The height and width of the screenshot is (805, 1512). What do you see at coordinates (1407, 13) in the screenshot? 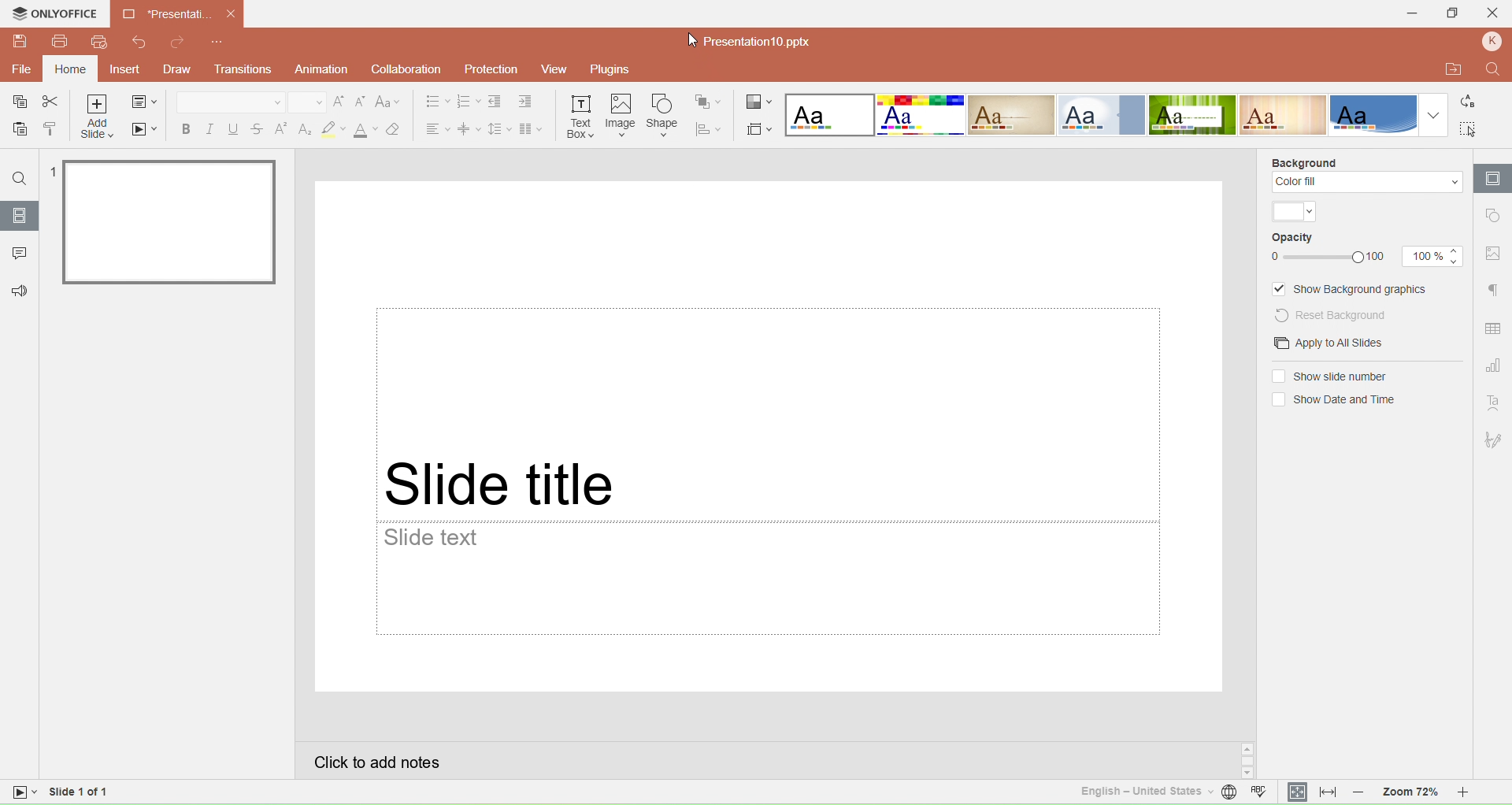
I see `Minimize` at bounding box center [1407, 13].